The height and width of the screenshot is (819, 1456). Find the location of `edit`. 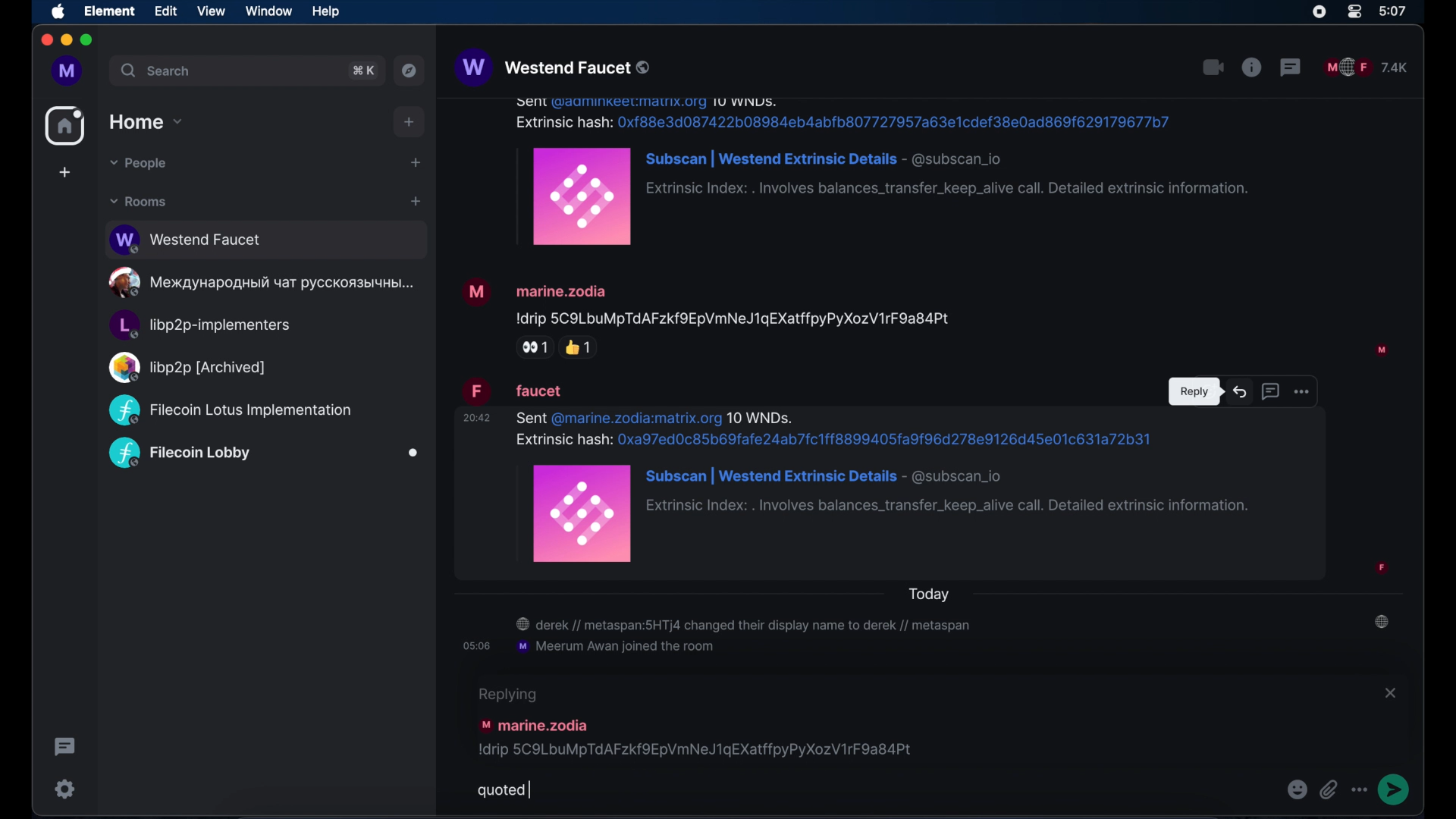

edit is located at coordinates (165, 11).